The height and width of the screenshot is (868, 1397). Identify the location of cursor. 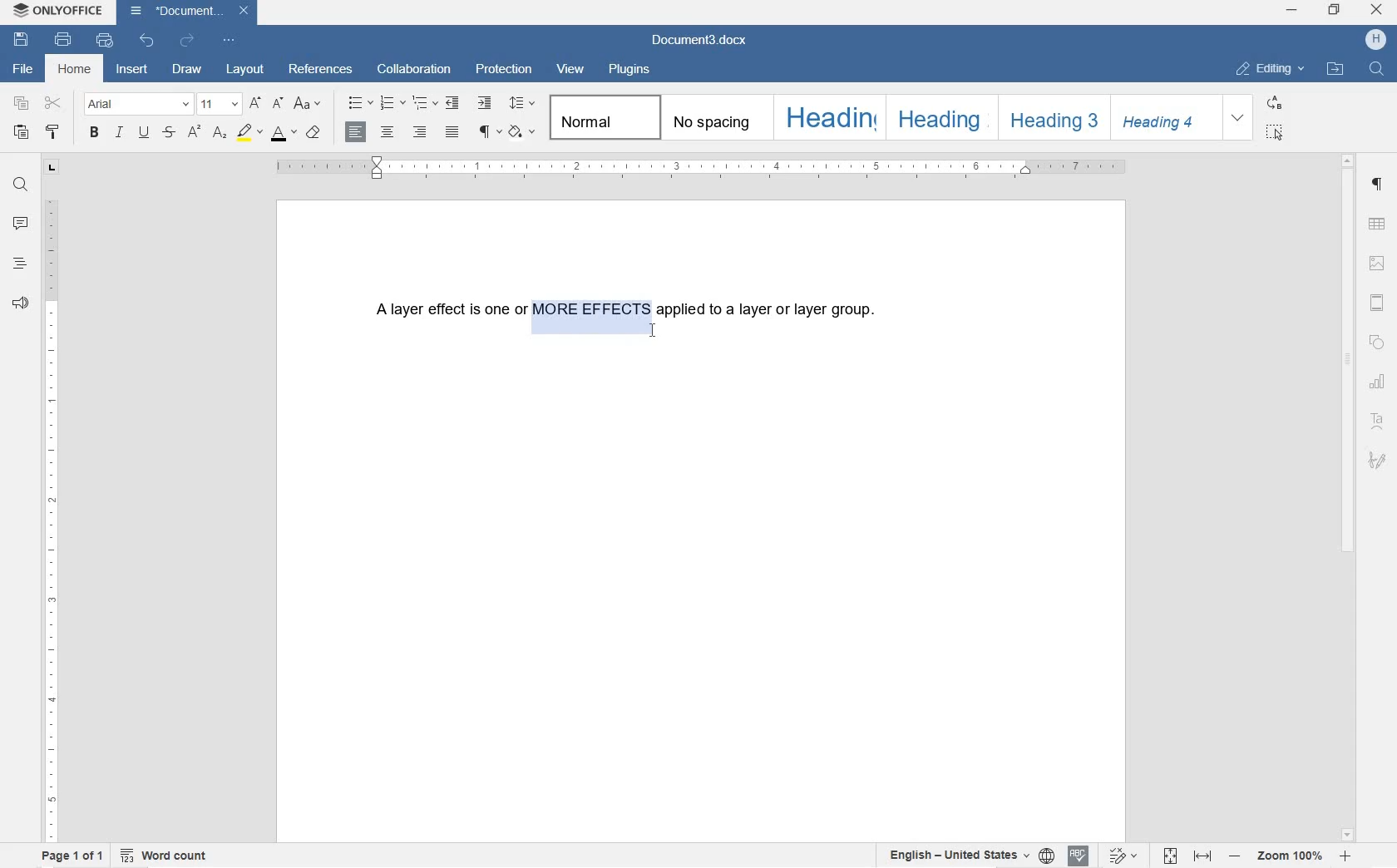
(653, 333).